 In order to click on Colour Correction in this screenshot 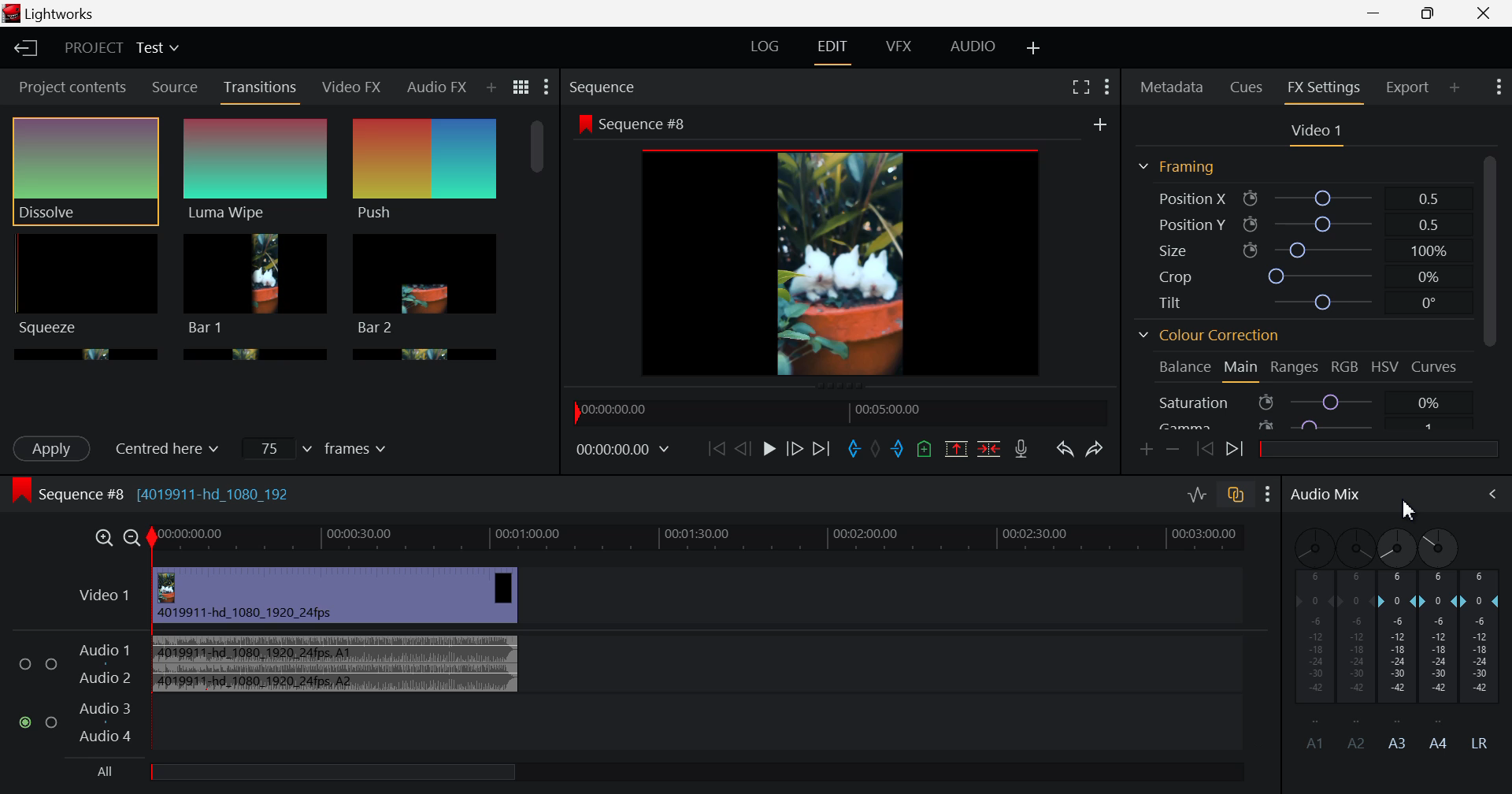, I will do `click(1214, 334)`.